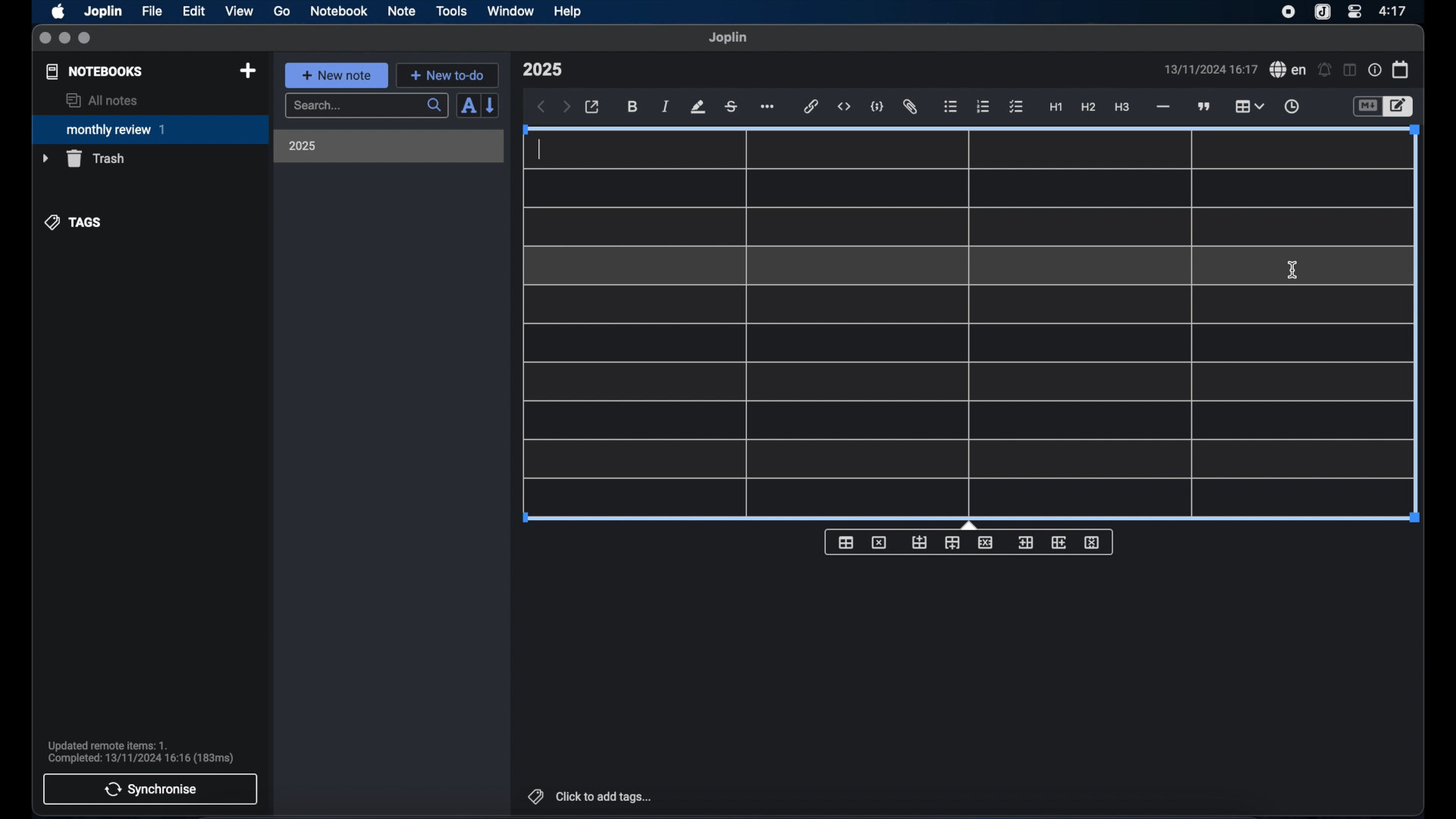 The width and height of the screenshot is (1456, 819). I want to click on check  list, so click(1016, 108).